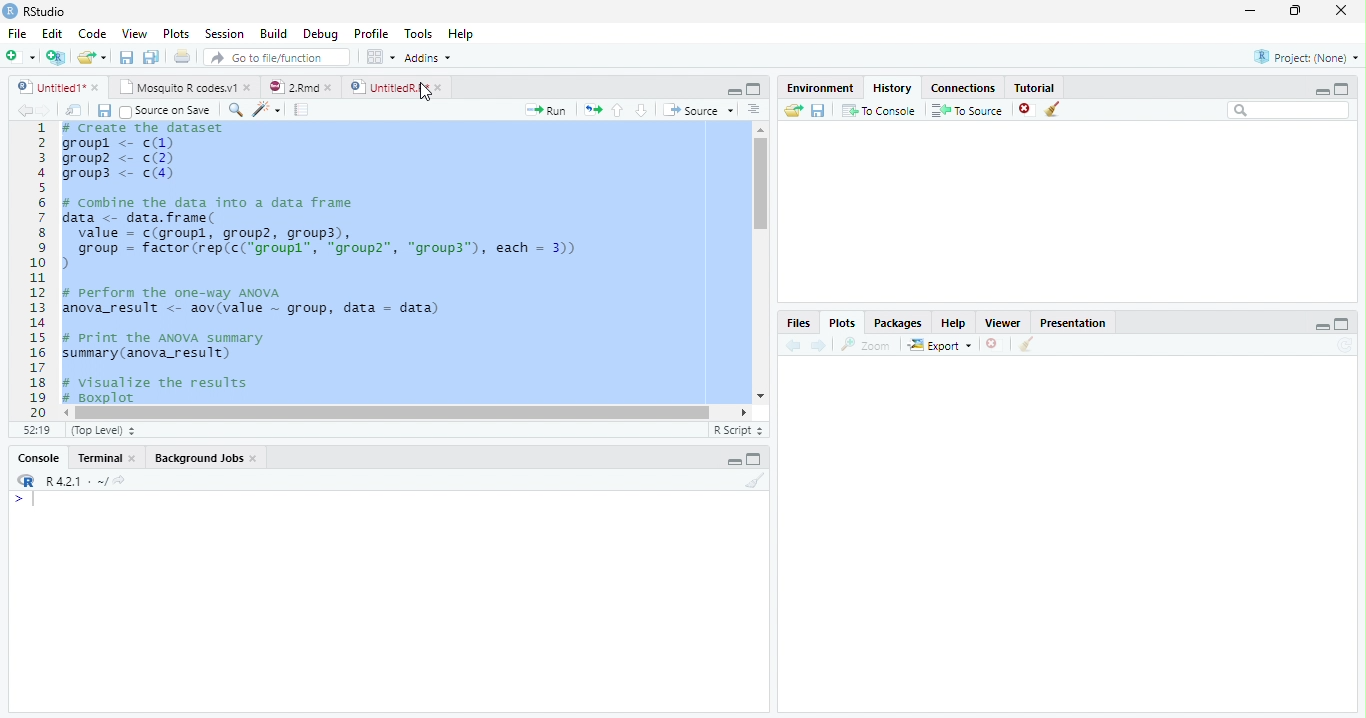  I want to click on Profile, so click(370, 34).